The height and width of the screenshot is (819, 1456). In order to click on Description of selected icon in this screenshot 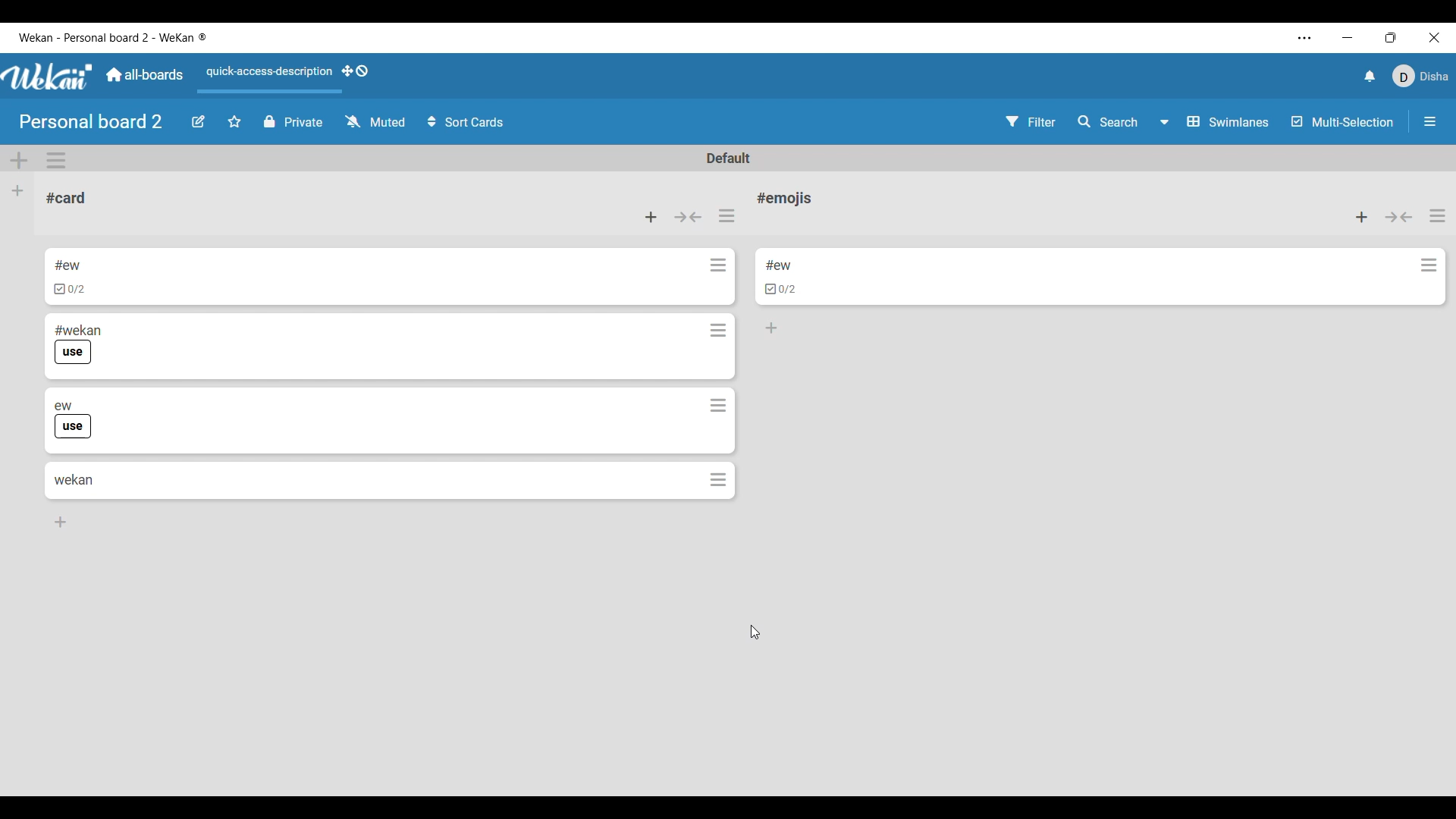, I will do `click(781, 293)`.